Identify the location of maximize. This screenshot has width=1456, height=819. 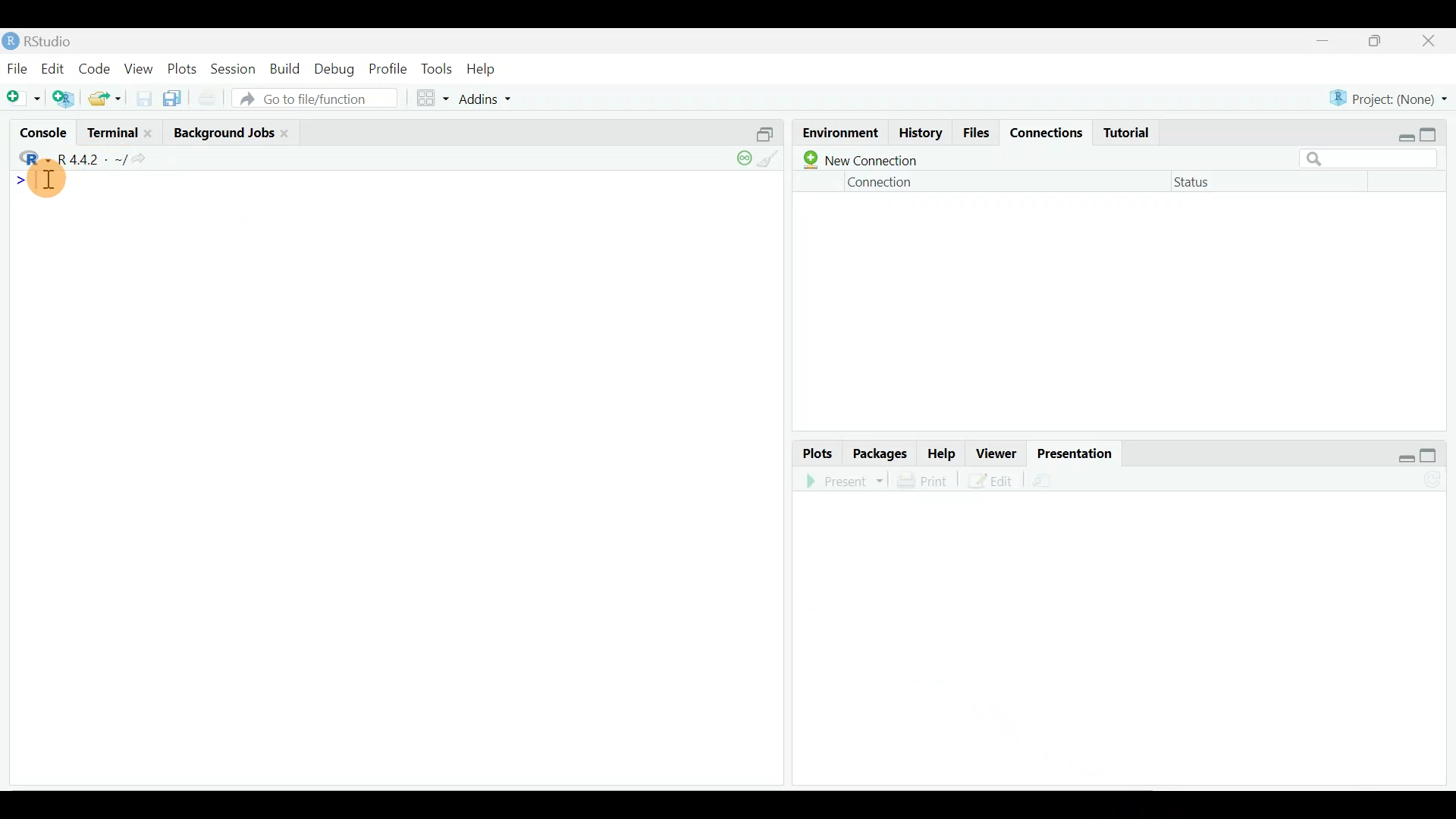
(1433, 131).